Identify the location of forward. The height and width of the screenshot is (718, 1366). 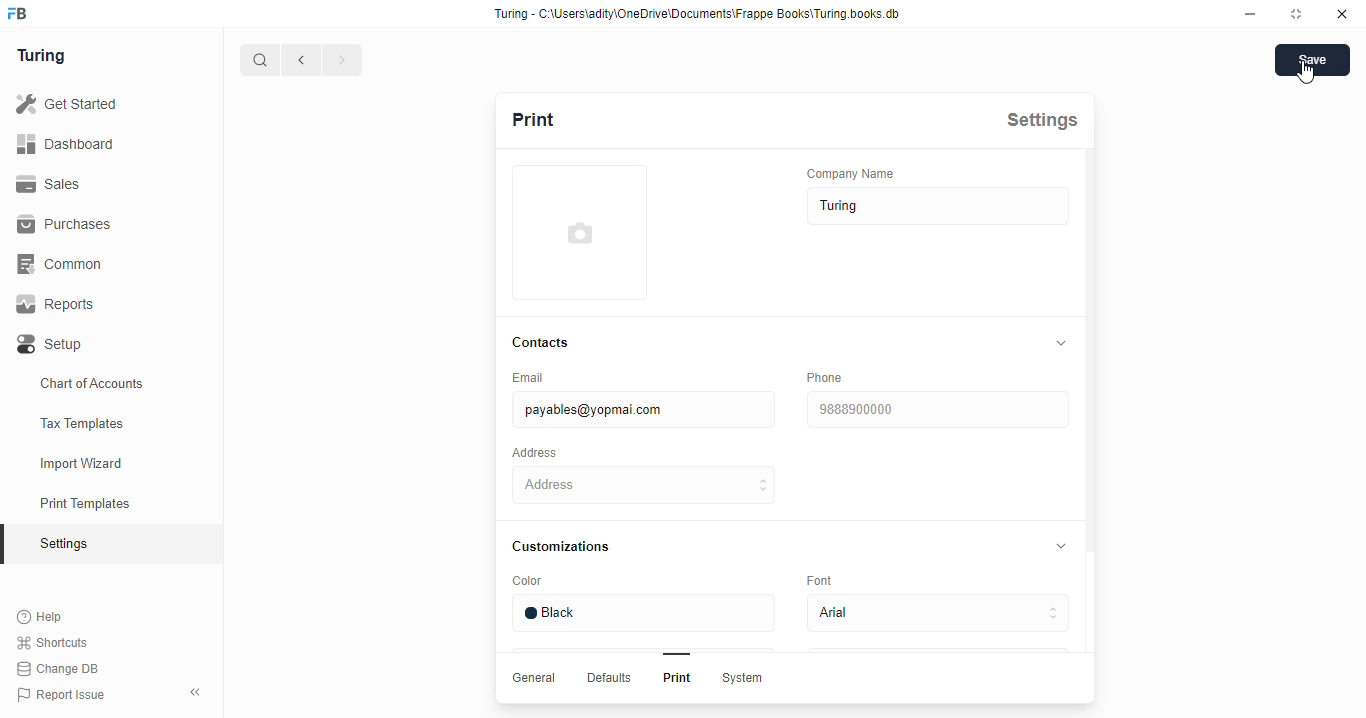
(341, 61).